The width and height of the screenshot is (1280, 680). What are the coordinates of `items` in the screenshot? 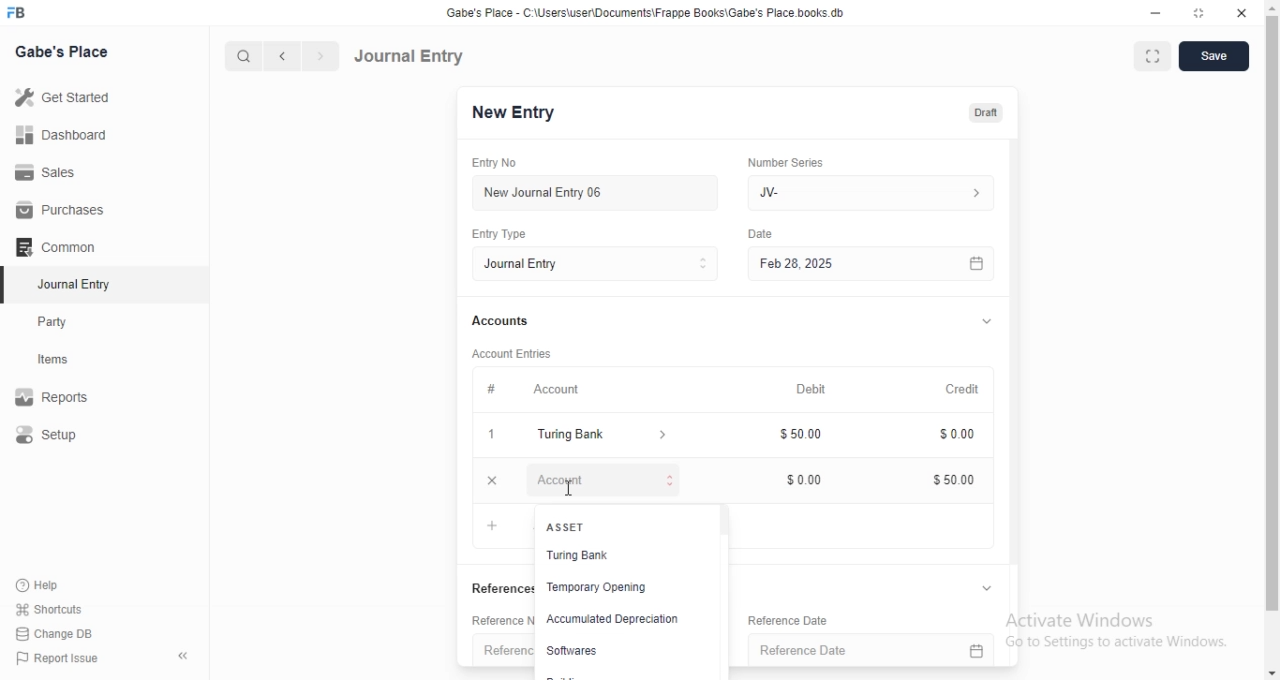 It's located at (66, 361).